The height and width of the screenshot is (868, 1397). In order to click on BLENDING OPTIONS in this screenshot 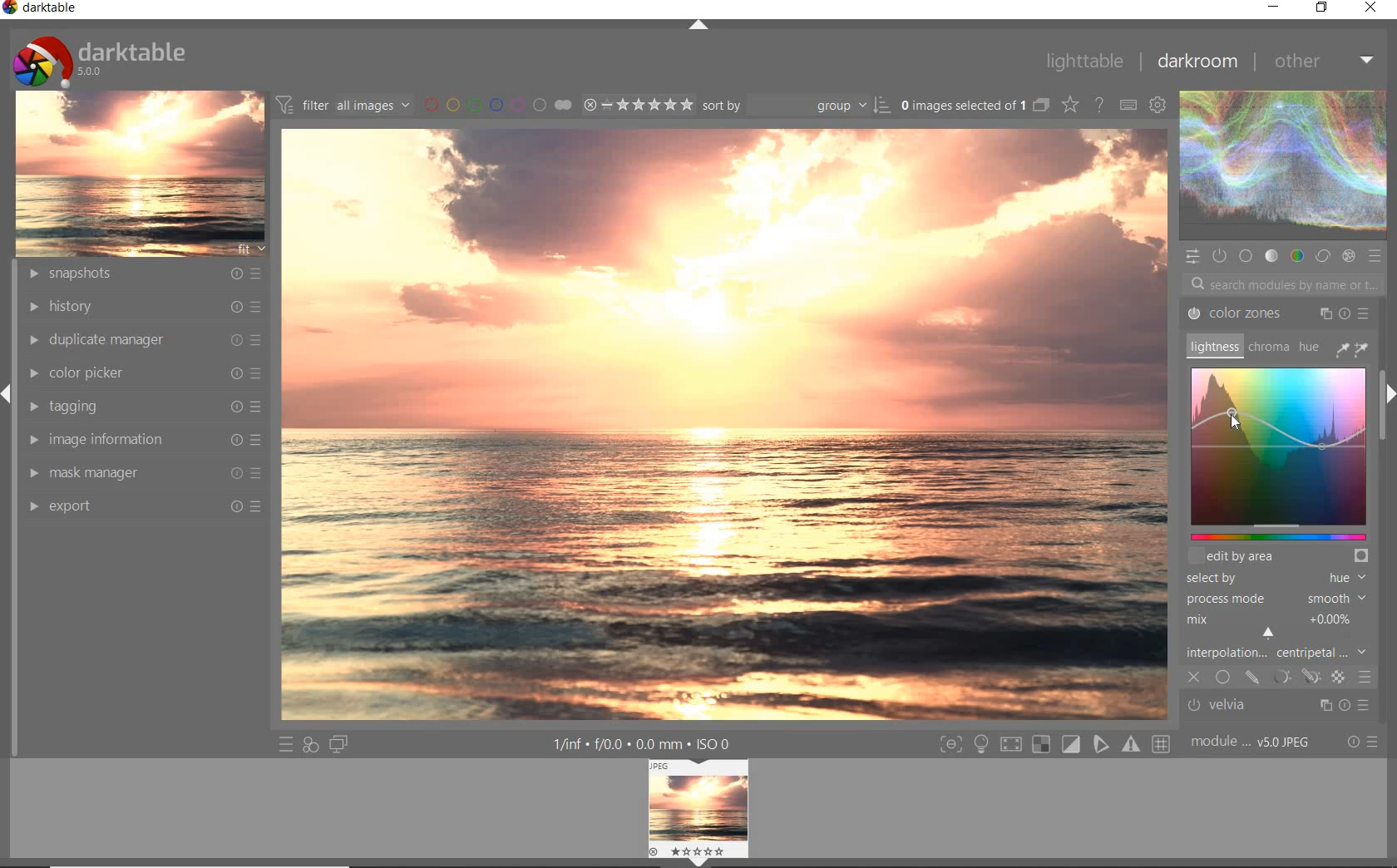, I will do `click(1365, 678)`.